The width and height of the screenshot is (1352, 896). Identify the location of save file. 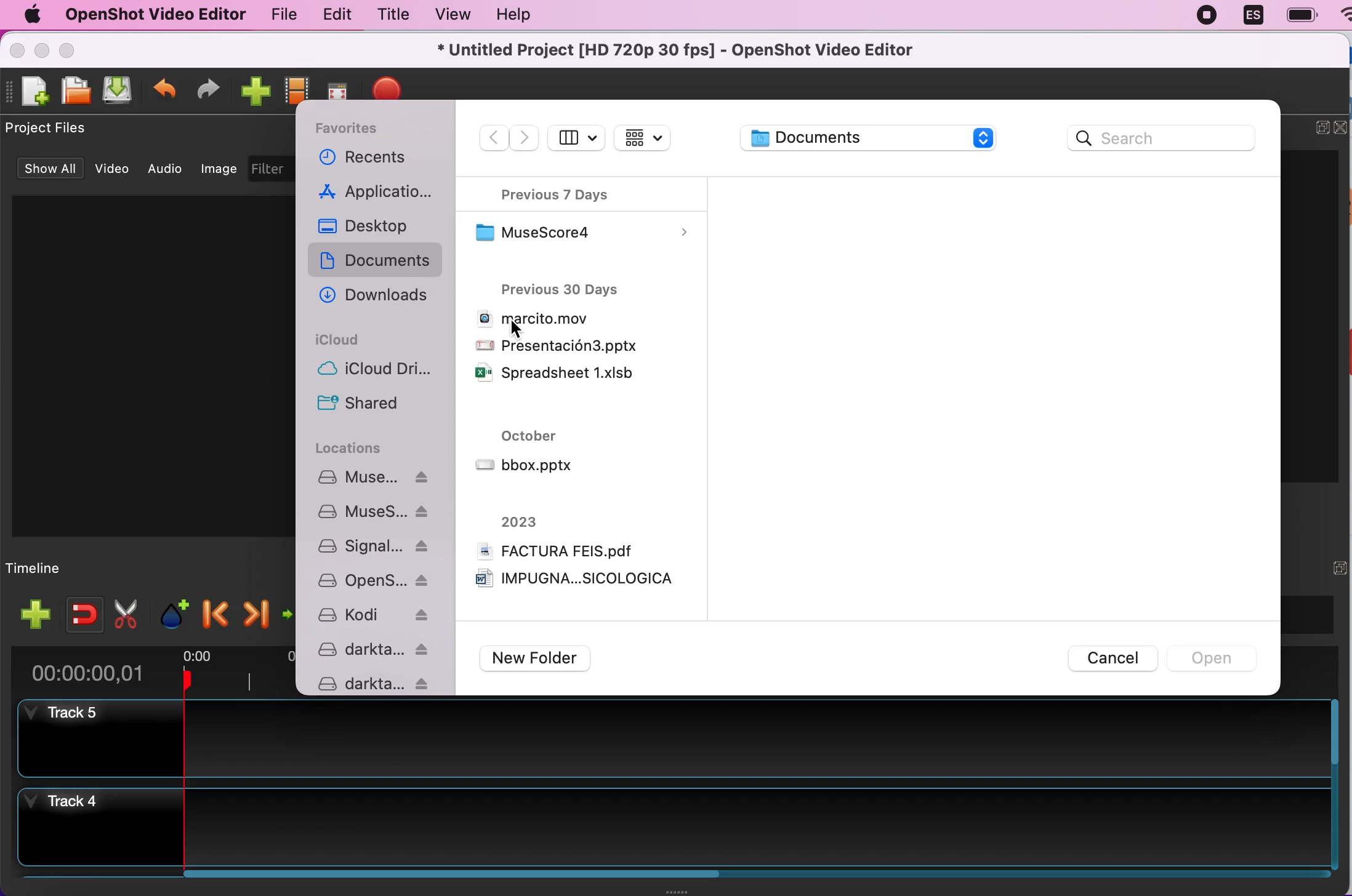
(120, 92).